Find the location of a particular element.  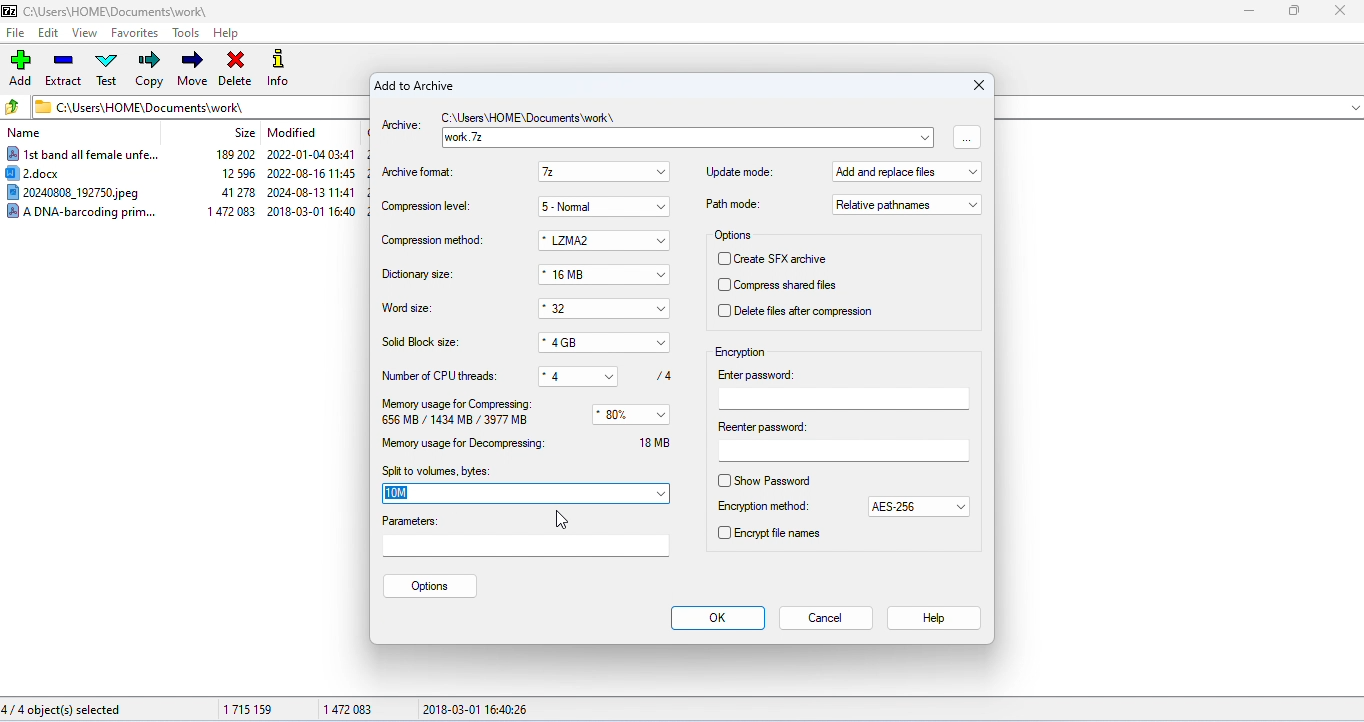

info is located at coordinates (283, 70).